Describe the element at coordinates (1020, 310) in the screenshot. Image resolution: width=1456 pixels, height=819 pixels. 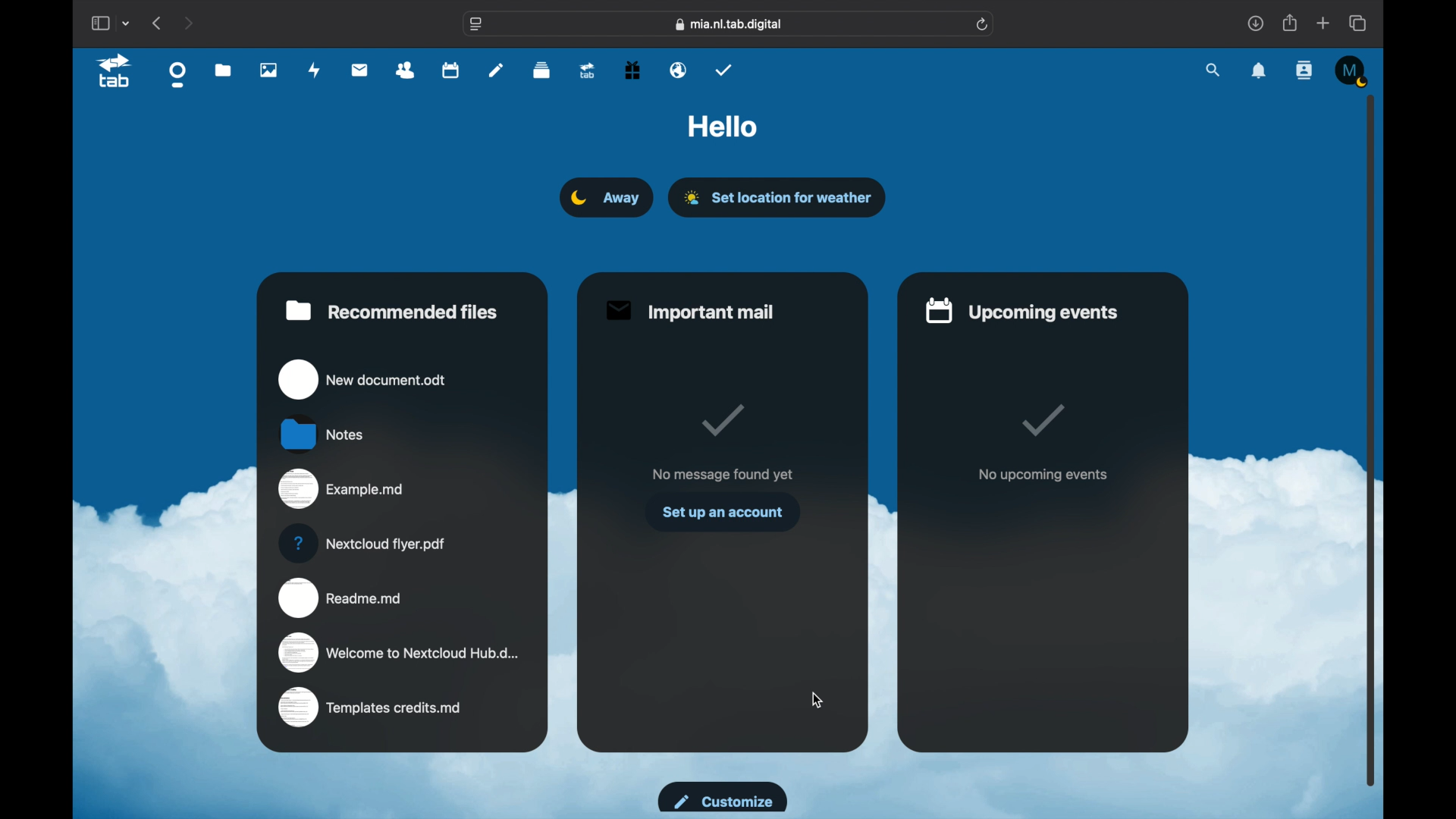
I see `upcoming events` at that location.